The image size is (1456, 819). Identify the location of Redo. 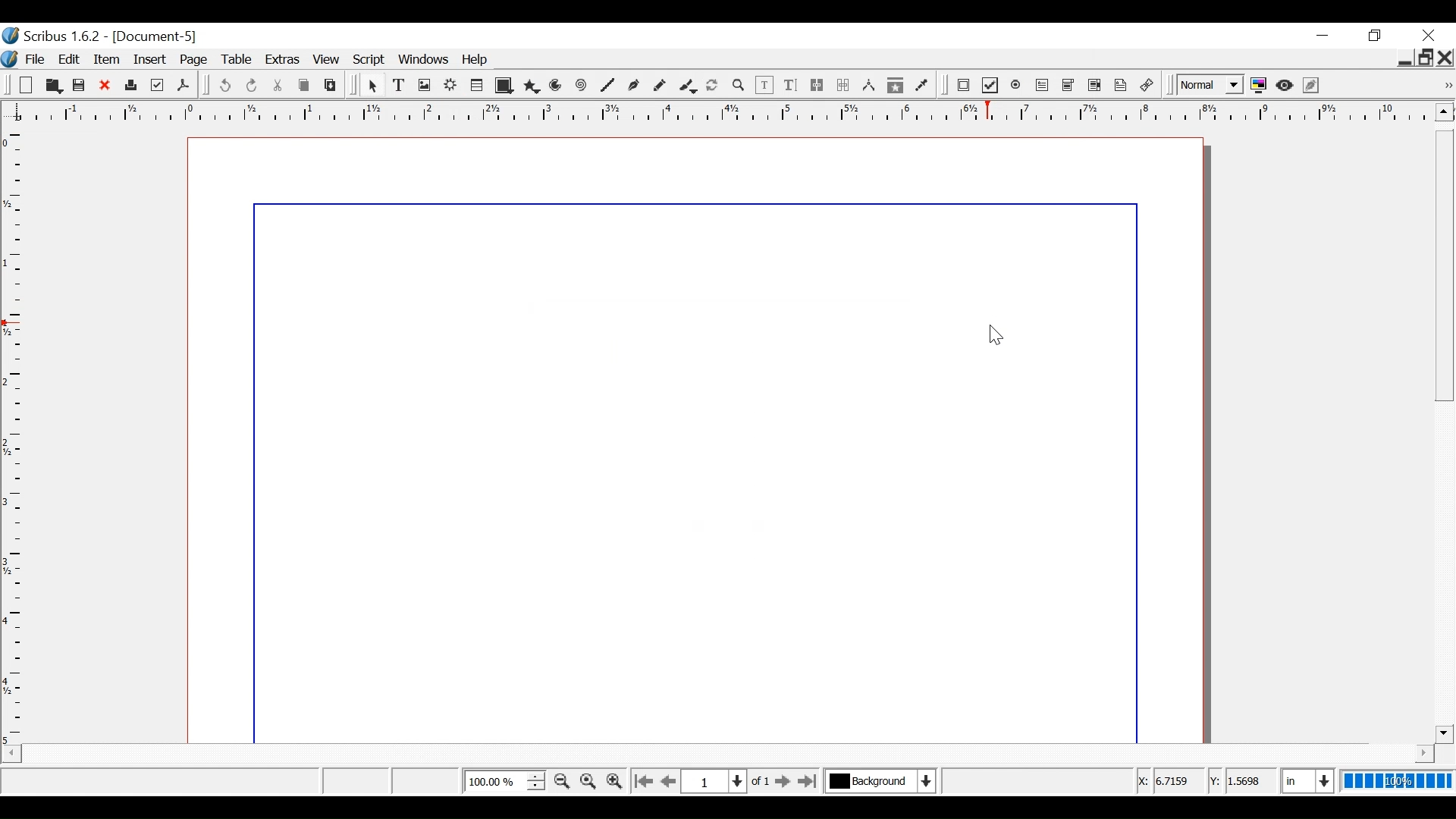
(253, 86).